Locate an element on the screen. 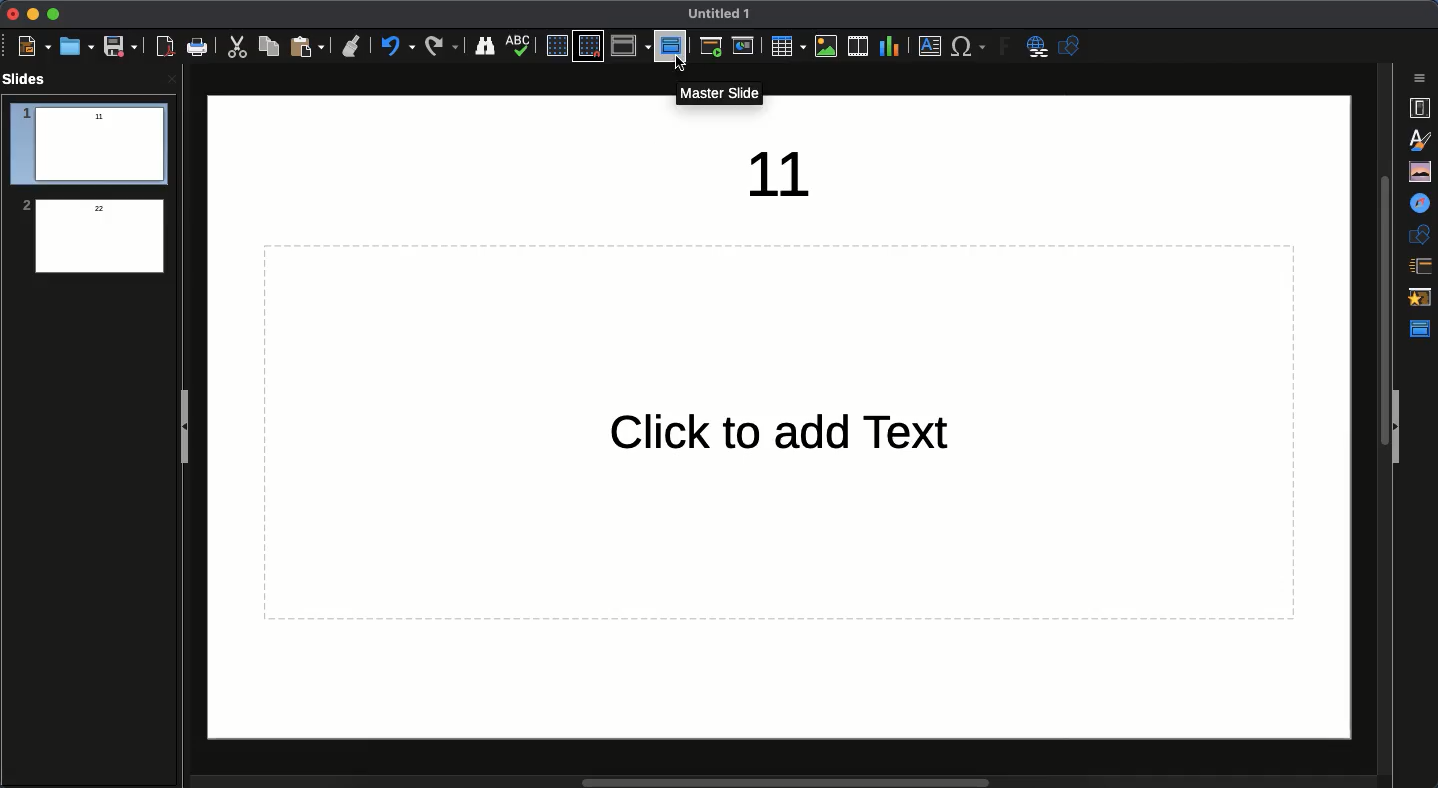 Image resolution: width=1438 pixels, height=788 pixels. Snap grid is located at coordinates (588, 47).